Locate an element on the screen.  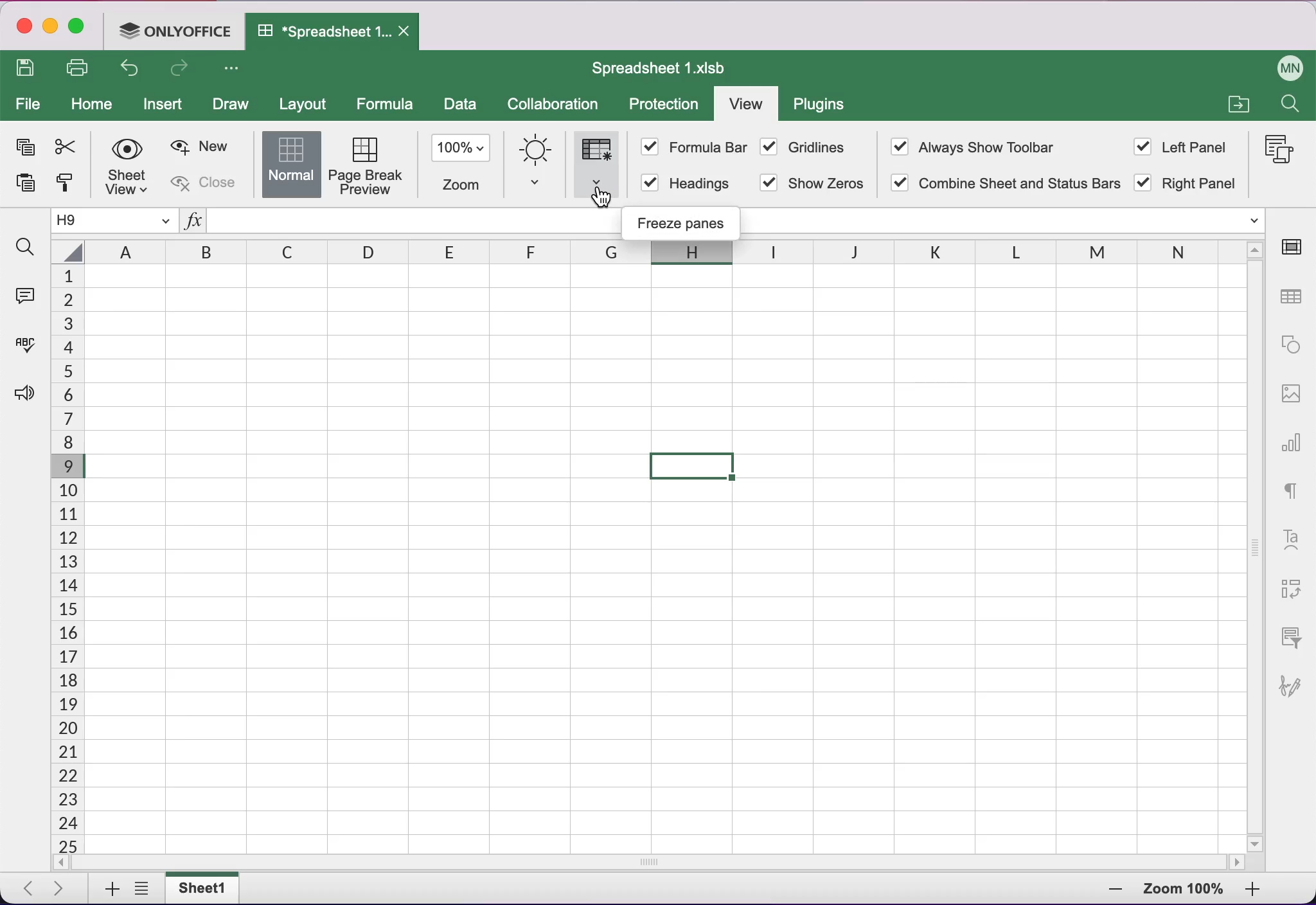
copy style is located at coordinates (69, 186).